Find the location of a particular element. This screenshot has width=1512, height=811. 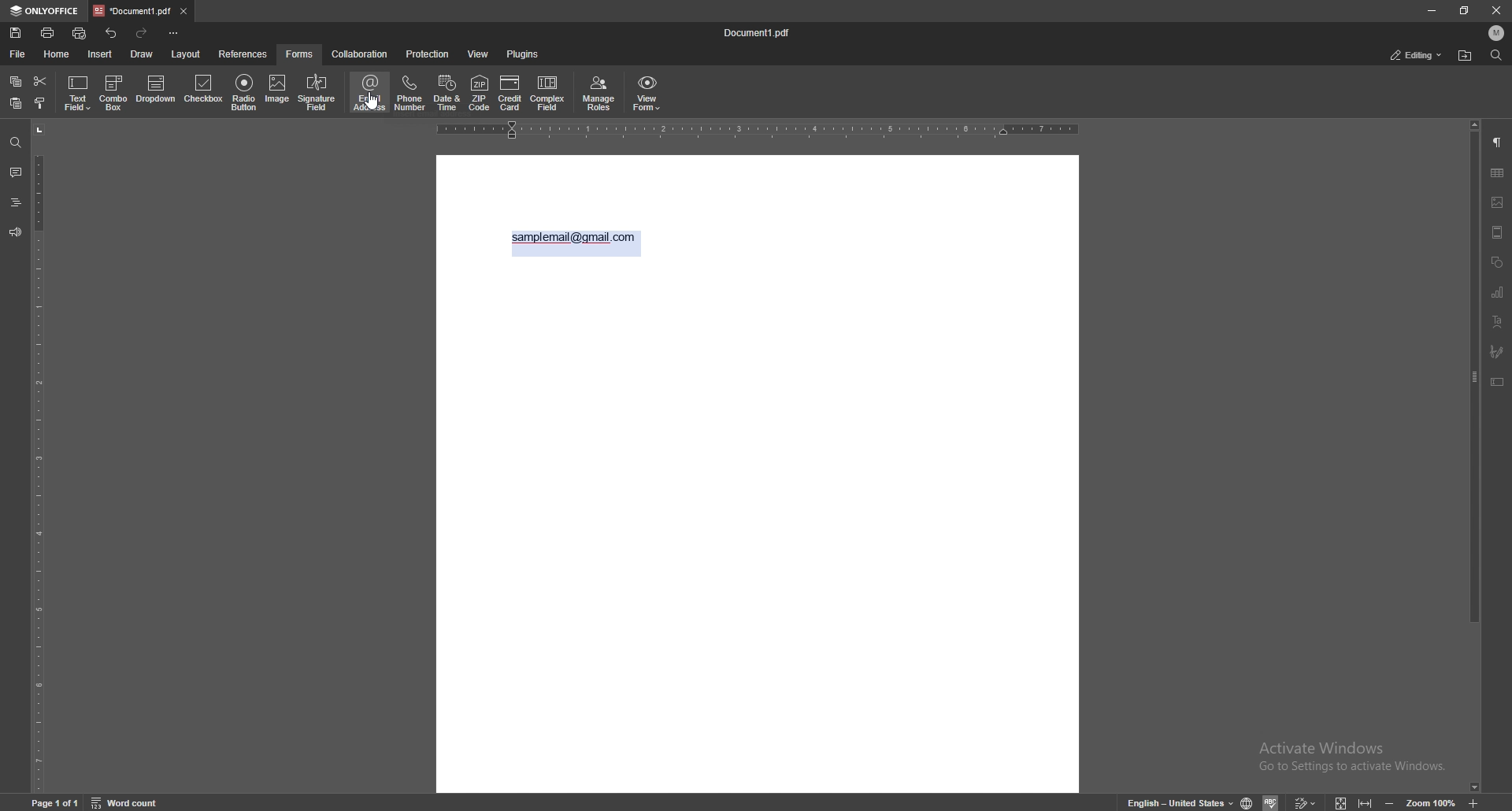

signature field is located at coordinates (1497, 352).